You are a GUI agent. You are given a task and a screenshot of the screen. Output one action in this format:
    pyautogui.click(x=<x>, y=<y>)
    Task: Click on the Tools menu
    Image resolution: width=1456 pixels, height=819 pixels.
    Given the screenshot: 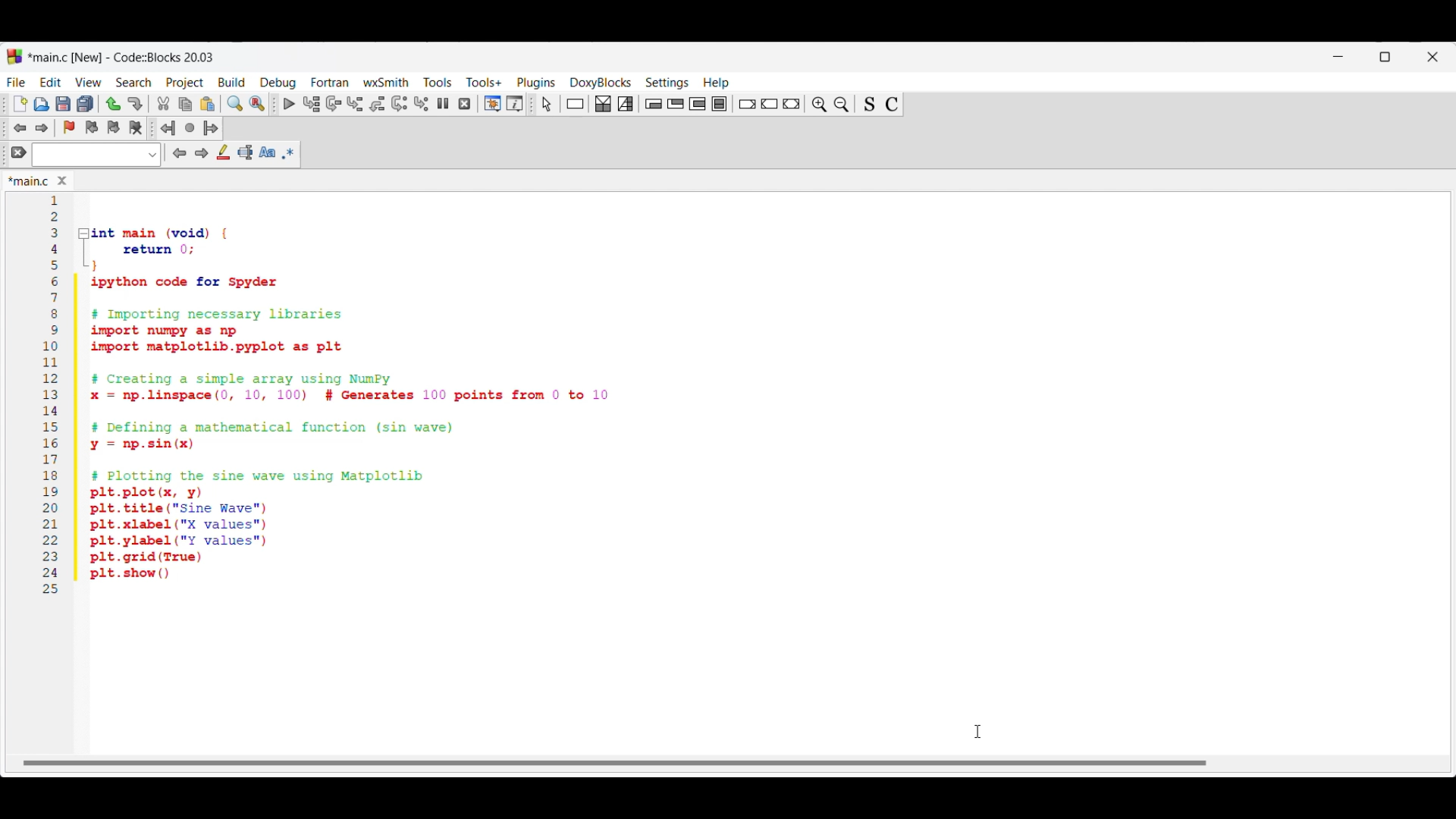 What is the action you would take?
    pyautogui.click(x=438, y=82)
    